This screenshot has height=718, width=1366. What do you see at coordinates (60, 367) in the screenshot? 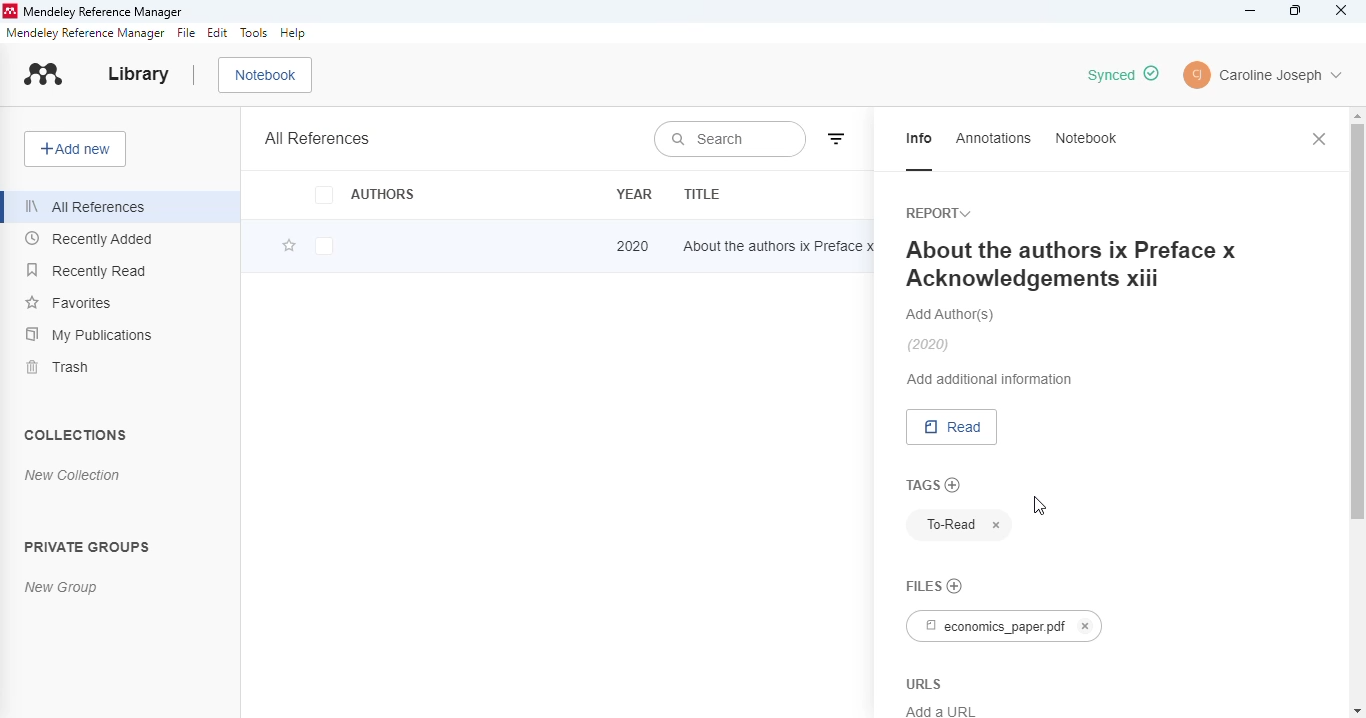
I see `trash` at bounding box center [60, 367].